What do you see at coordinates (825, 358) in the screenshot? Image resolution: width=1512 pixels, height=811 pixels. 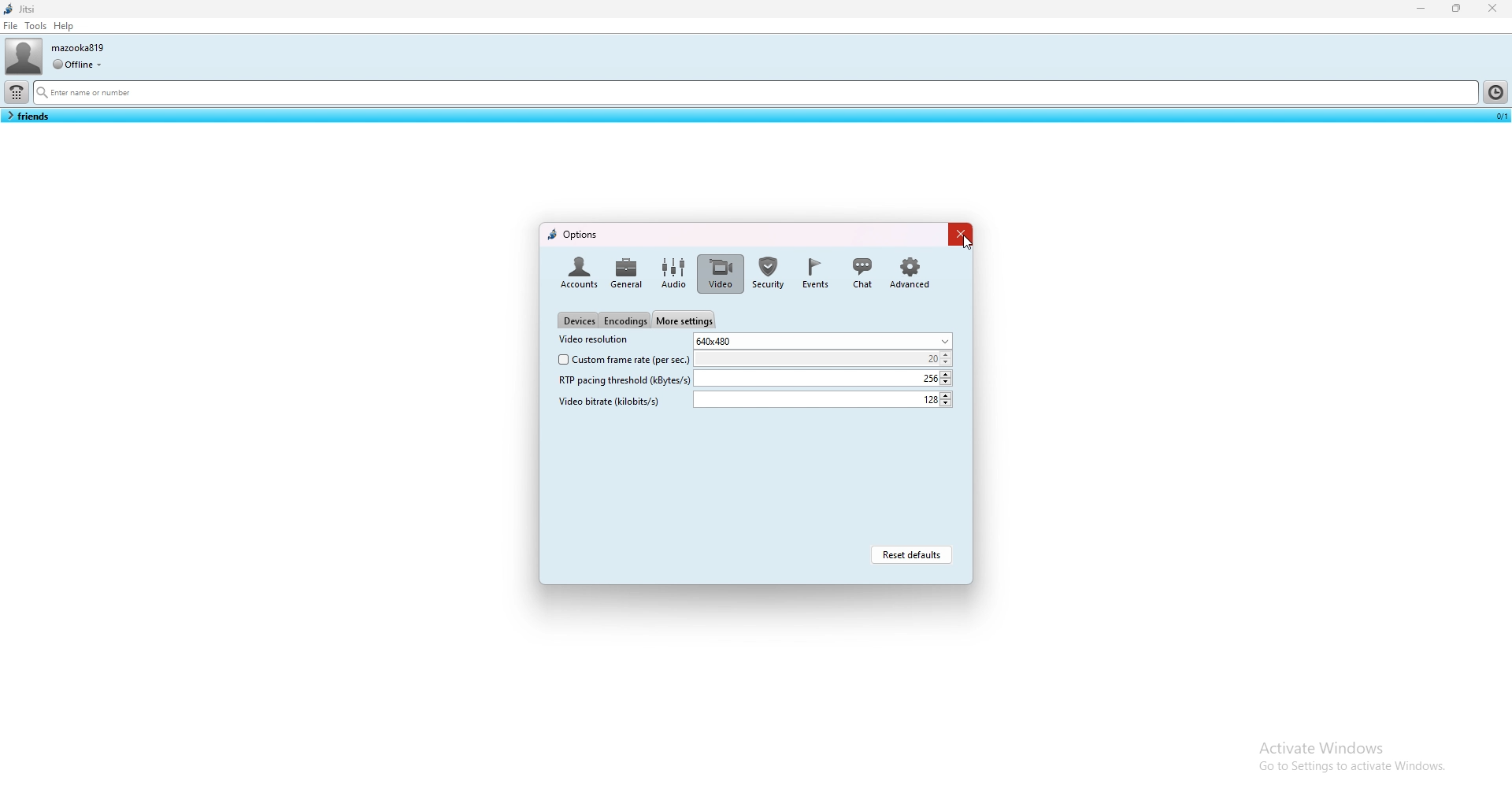 I see `20` at bounding box center [825, 358].